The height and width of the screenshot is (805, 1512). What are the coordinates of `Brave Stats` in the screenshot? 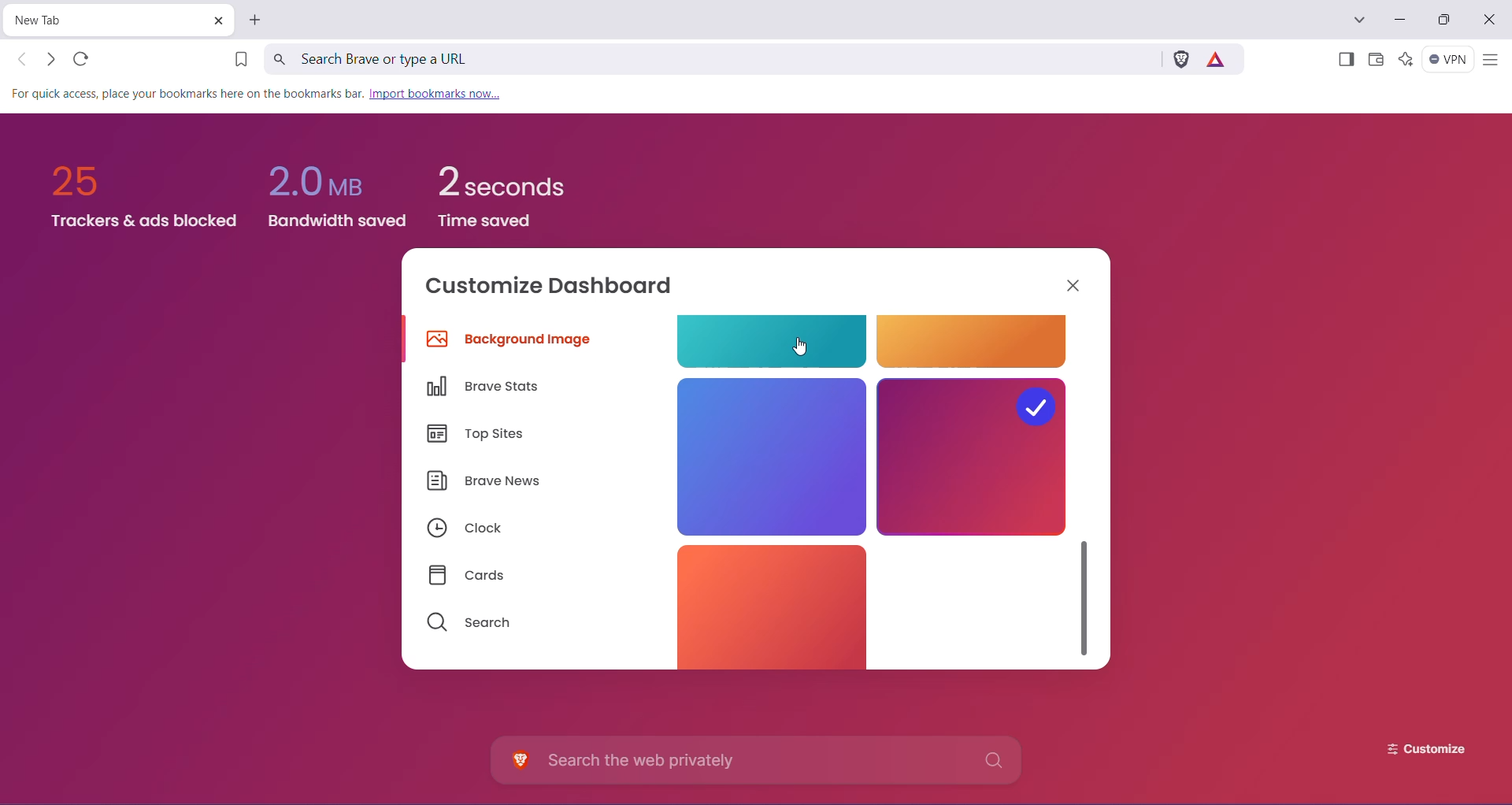 It's located at (489, 387).